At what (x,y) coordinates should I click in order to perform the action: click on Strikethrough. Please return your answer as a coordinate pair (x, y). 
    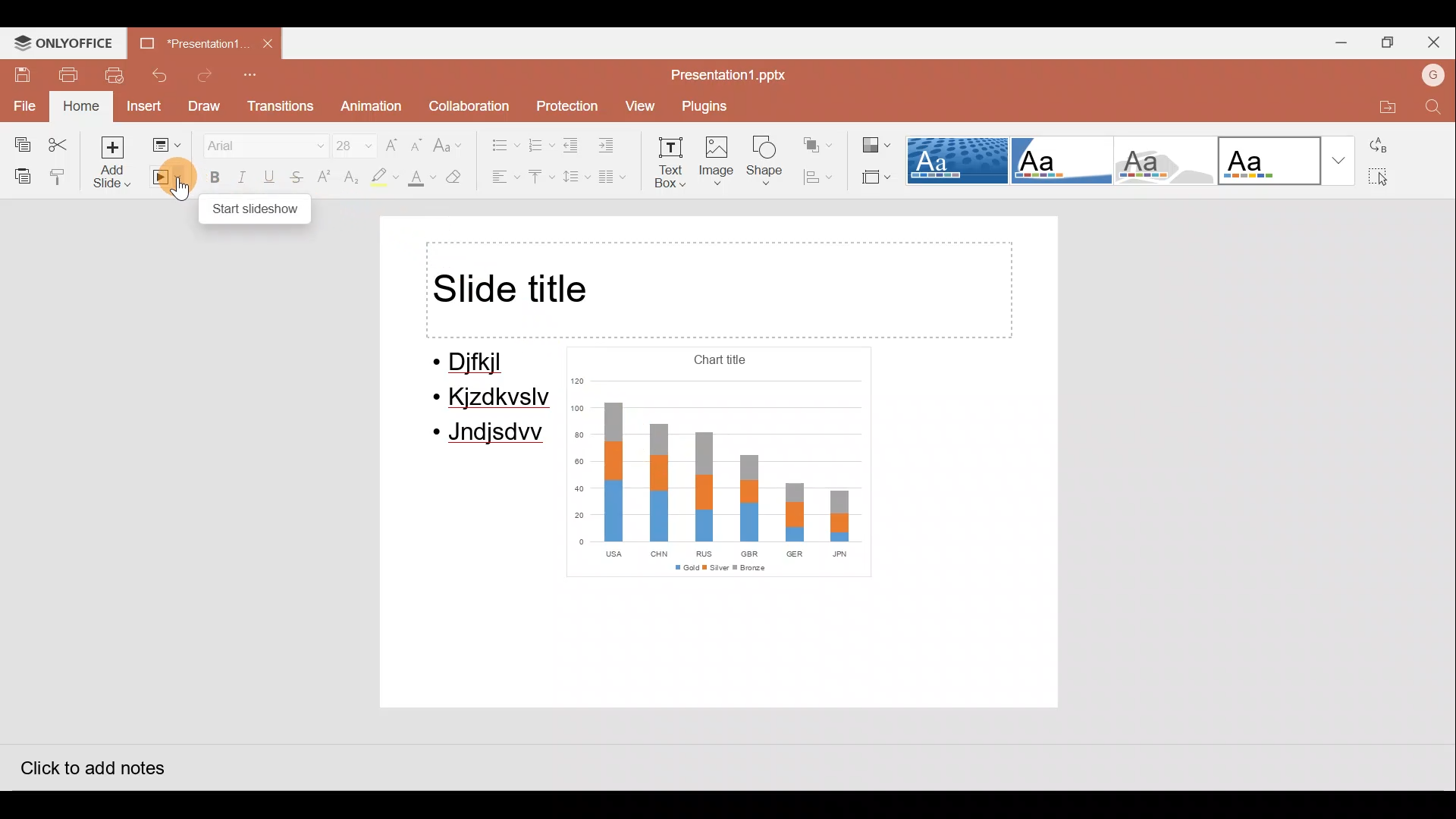
    Looking at the image, I should click on (293, 177).